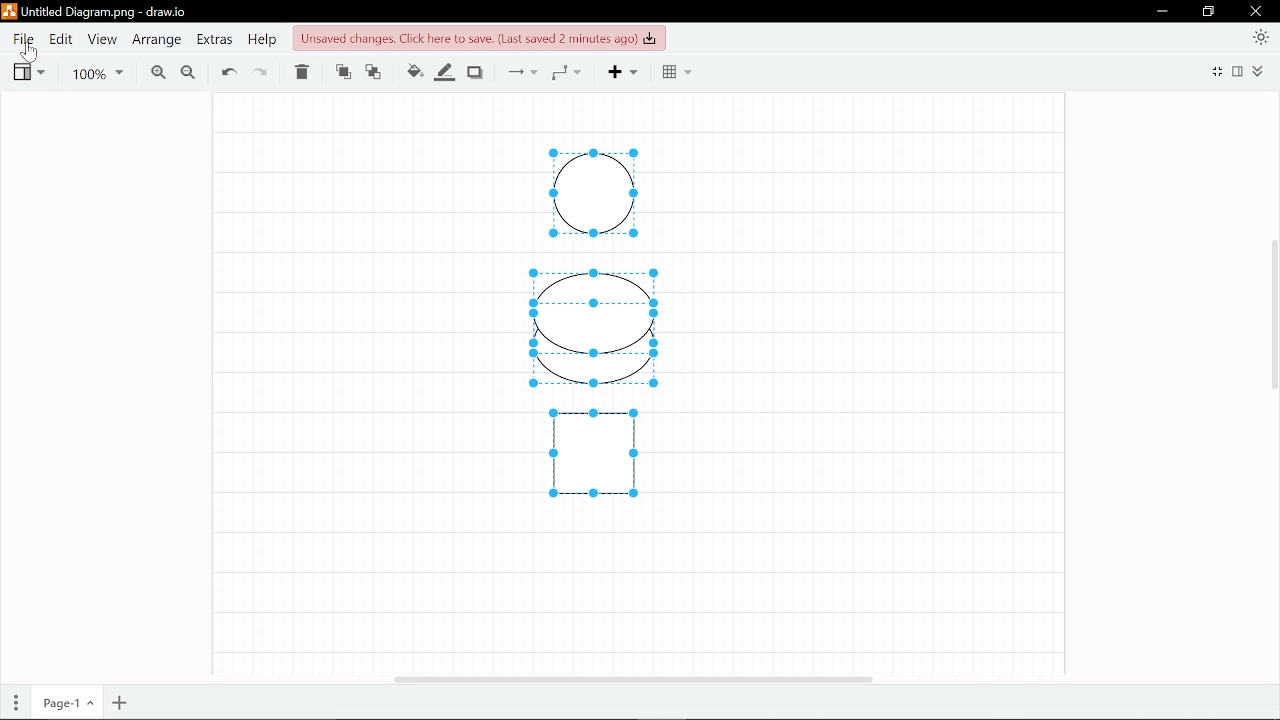 Image resolution: width=1280 pixels, height=720 pixels. I want to click on Move backwards, so click(376, 72).